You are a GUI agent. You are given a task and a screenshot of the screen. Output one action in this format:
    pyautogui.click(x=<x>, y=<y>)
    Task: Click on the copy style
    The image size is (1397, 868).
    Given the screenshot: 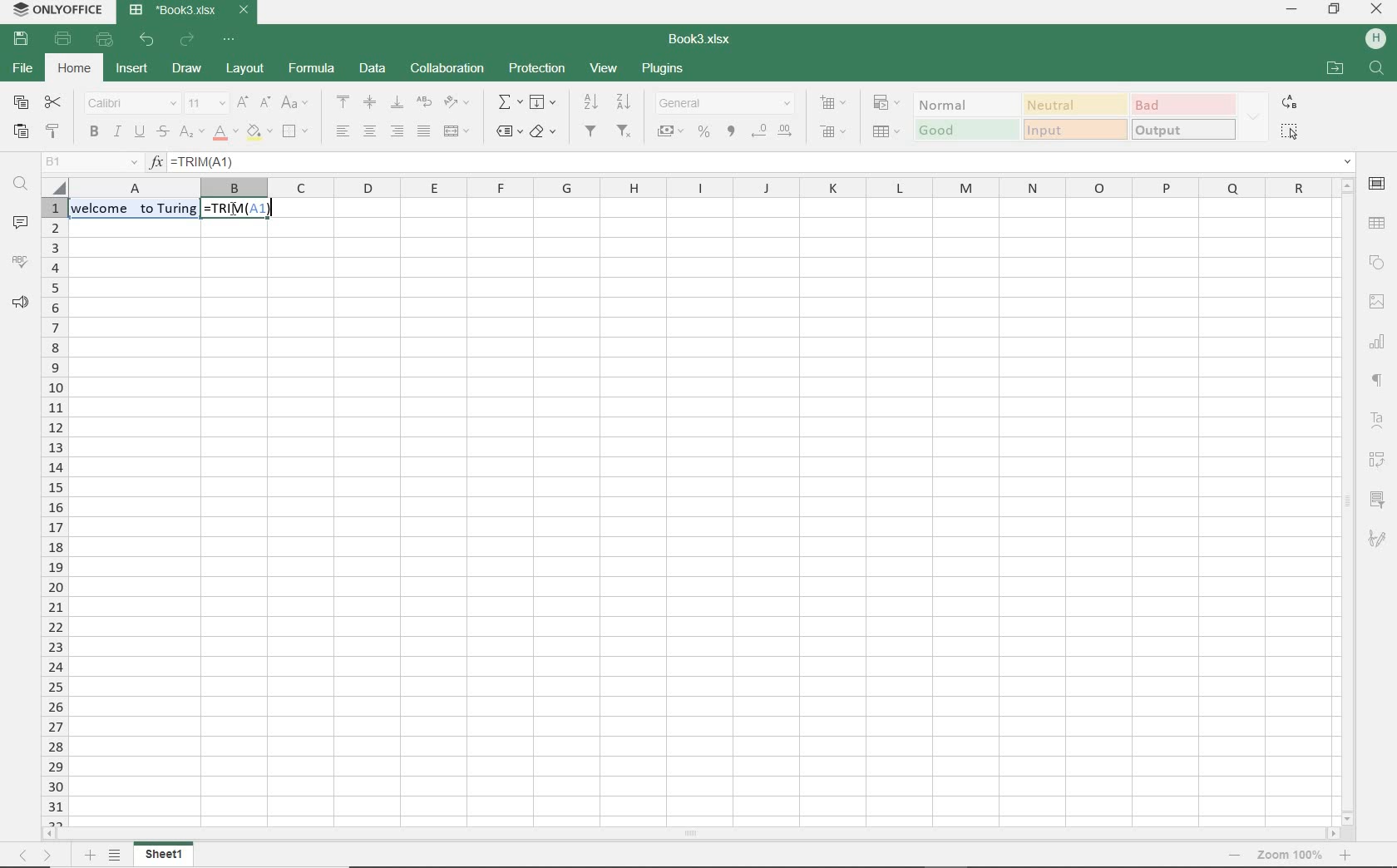 What is the action you would take?
    pyautogui.click(x=54, y=133)
    